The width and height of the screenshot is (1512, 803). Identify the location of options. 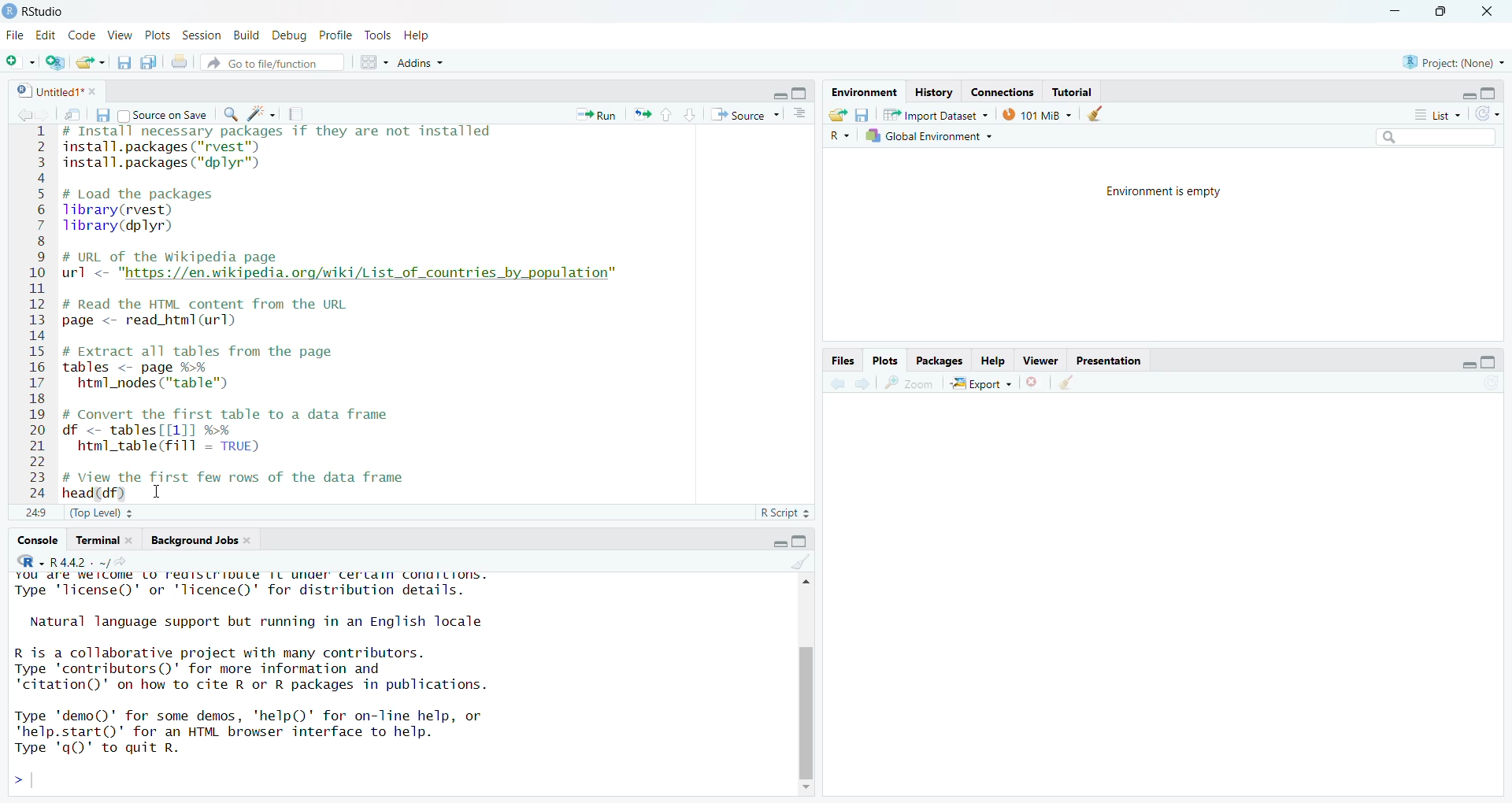
(799, 113).